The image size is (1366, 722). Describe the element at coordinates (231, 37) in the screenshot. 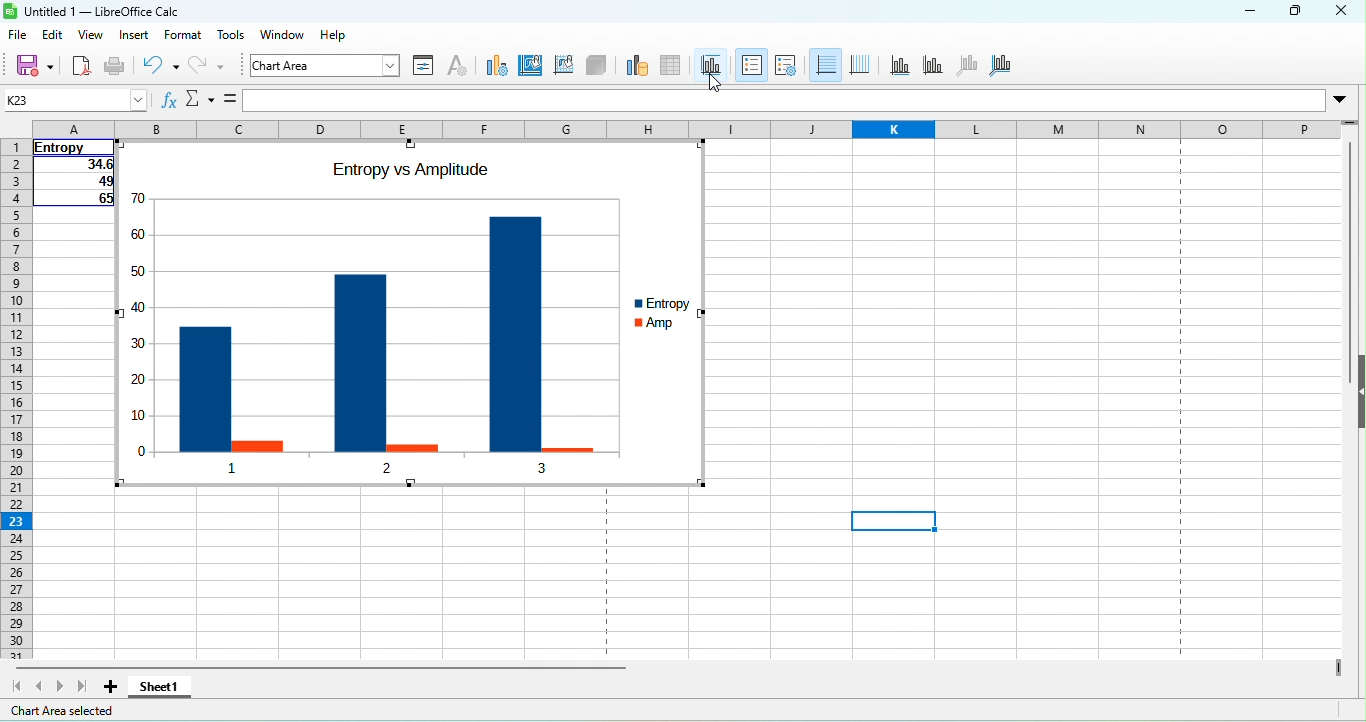

I see `tool` at that location.